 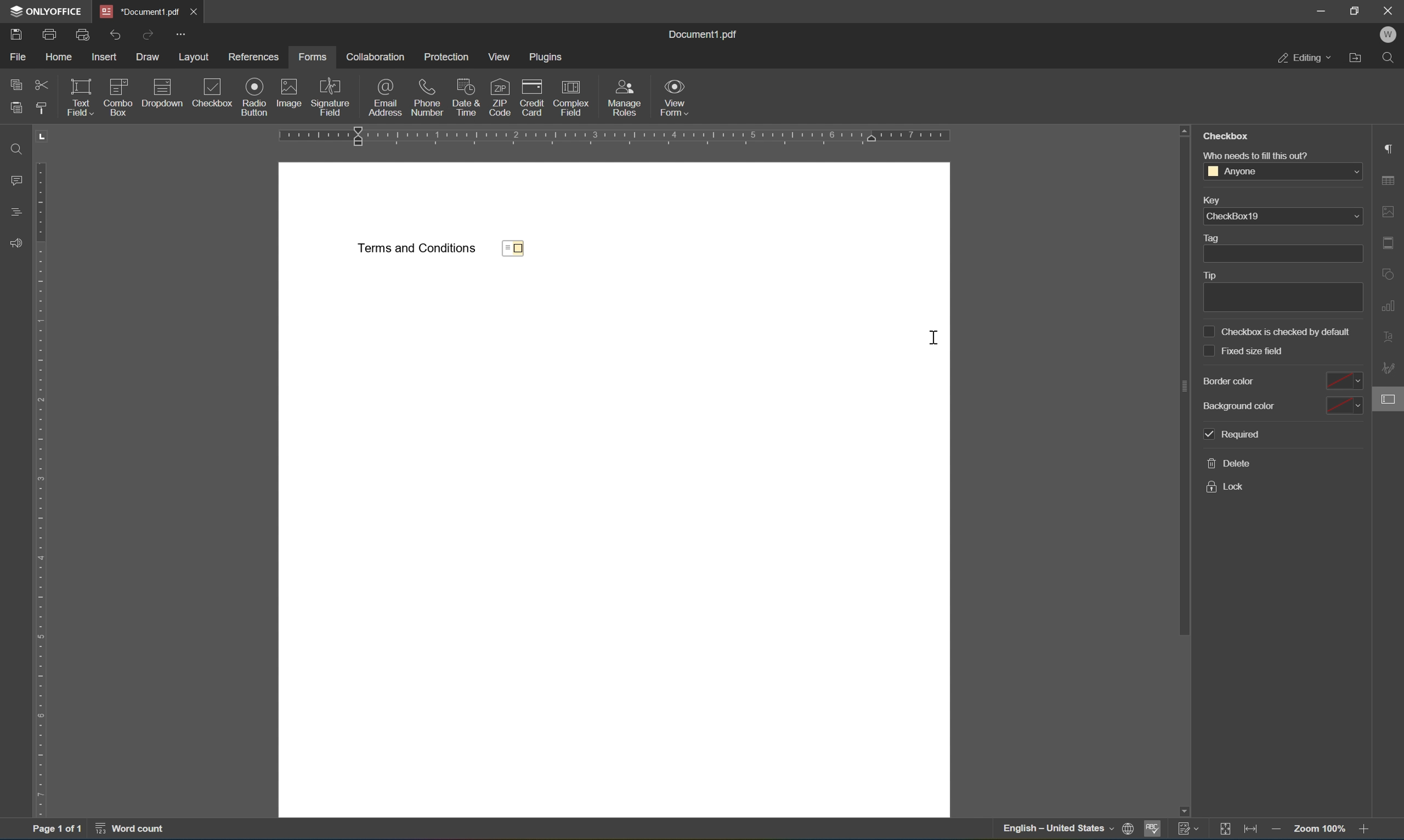 What do you see at coordinates (1244, 351) in the screenshot?
I see `fixed size field` at bounding box center [1244, 351].